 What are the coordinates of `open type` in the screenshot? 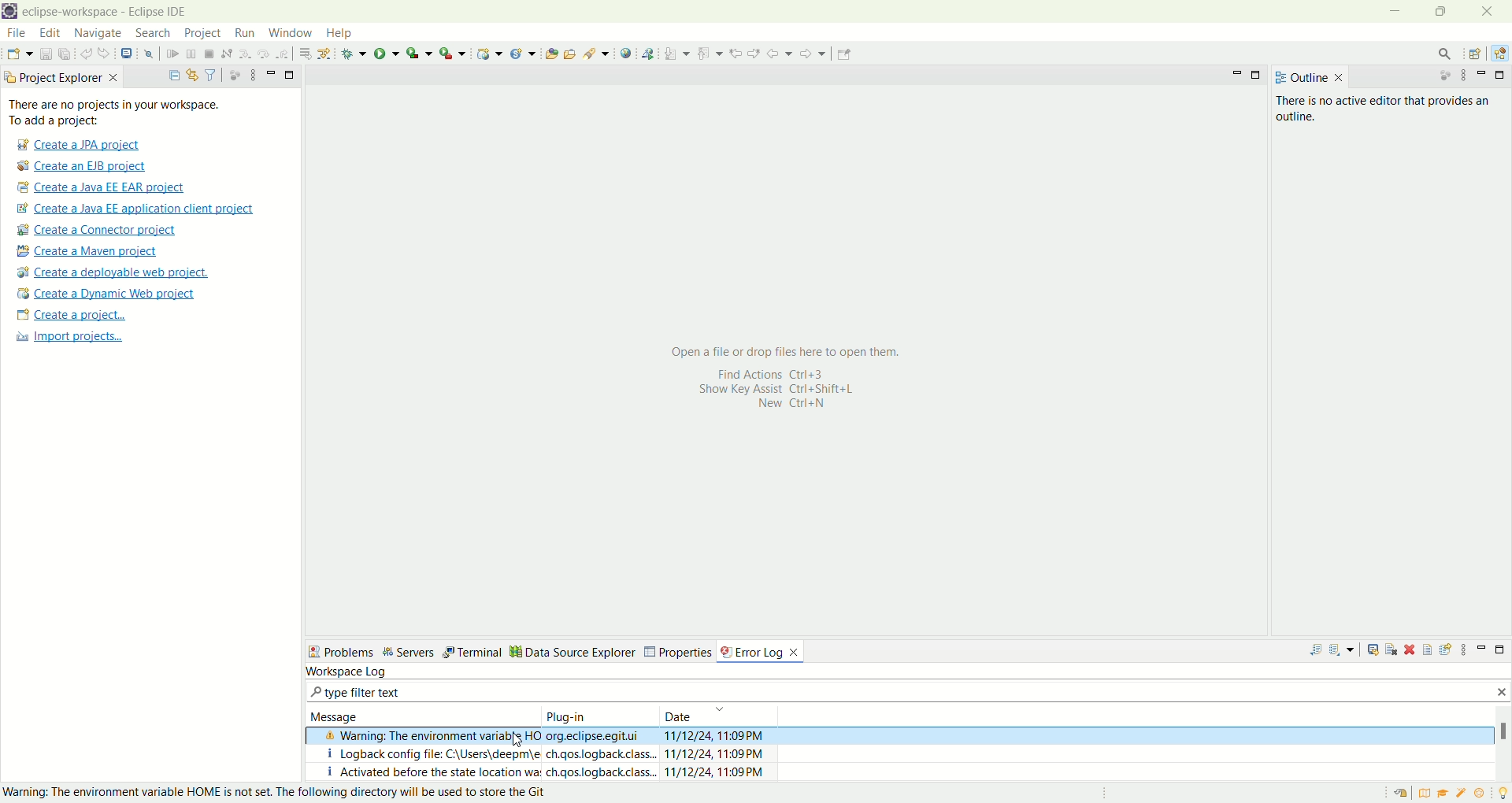 It's located at (550, 52).